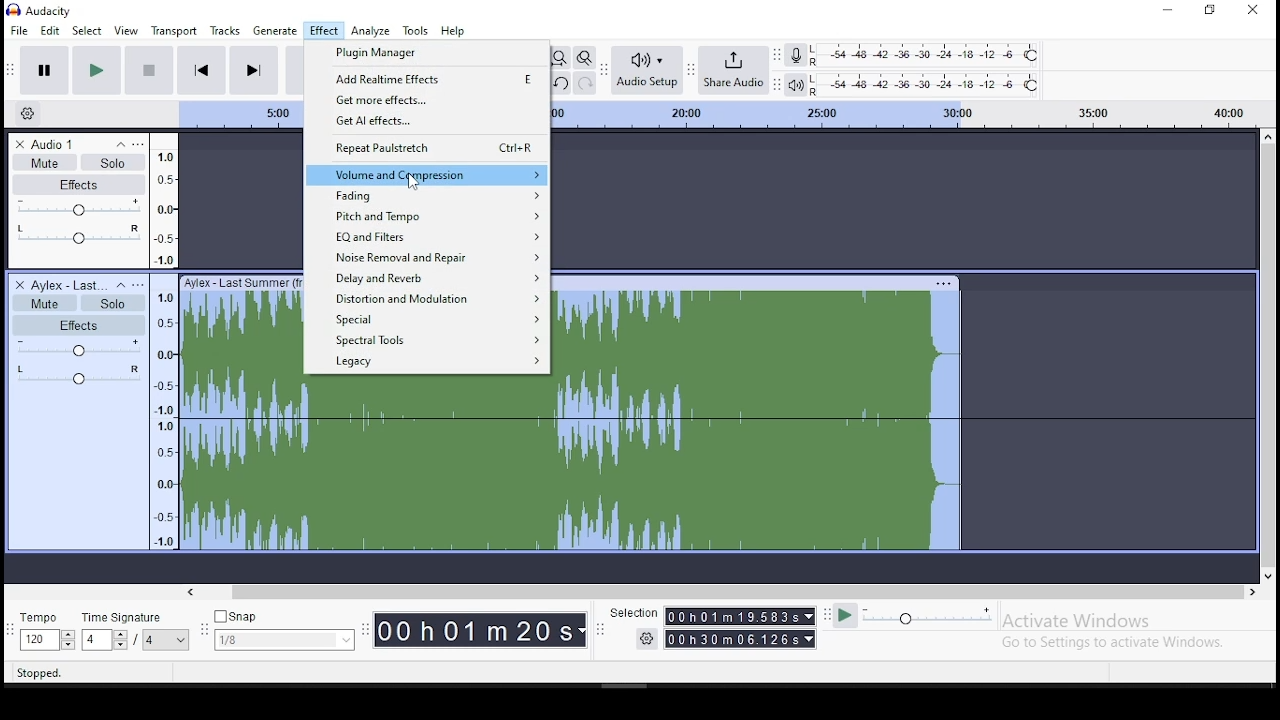 Image resolution: width=1280 pixels, height=720 pixels. What do you see at coordinates (453, 31) in the screenshot?
I see `help` at bounding box center [453, 31].